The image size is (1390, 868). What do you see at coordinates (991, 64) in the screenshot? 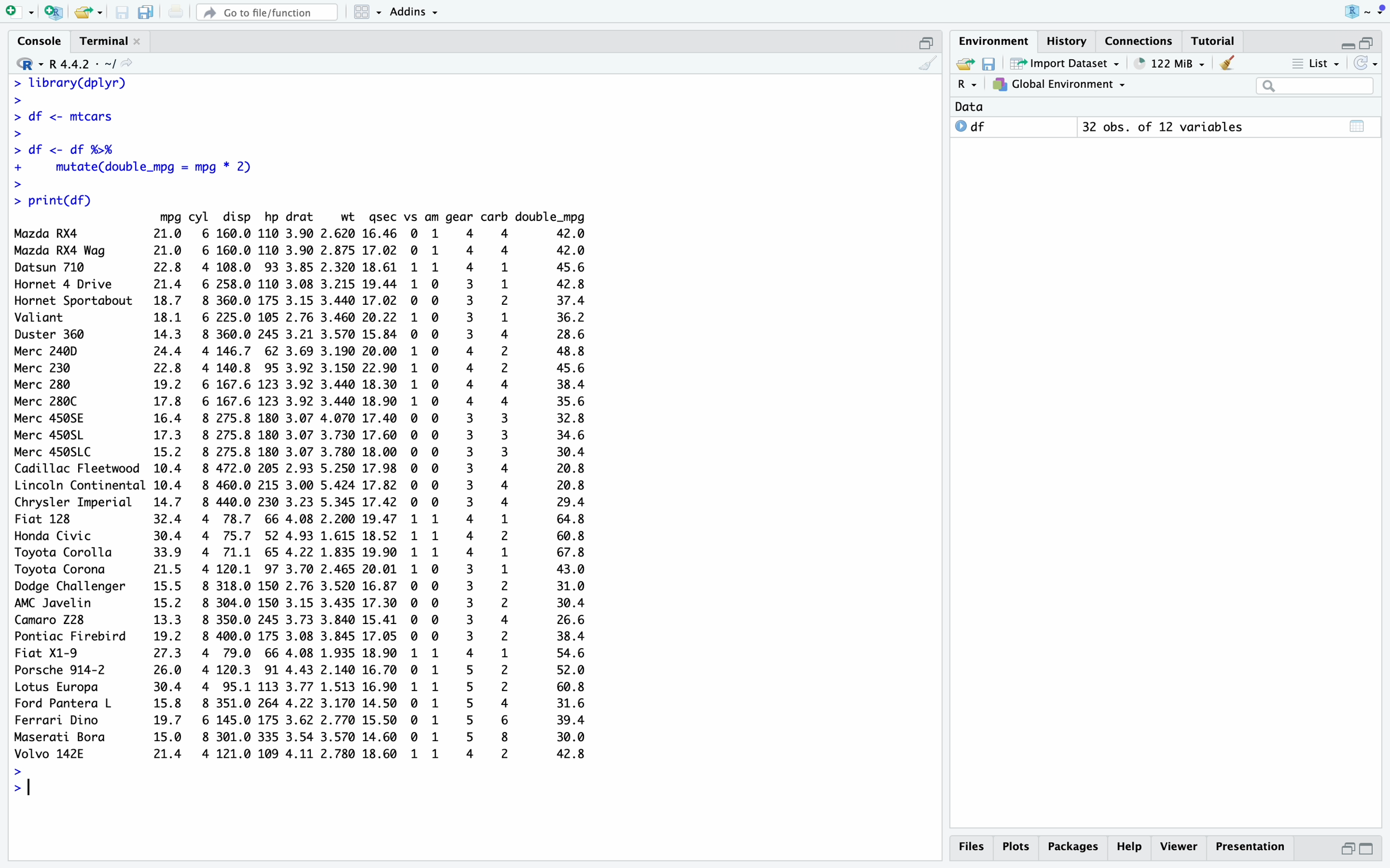
I see `save` at bounding box center [991, 64].